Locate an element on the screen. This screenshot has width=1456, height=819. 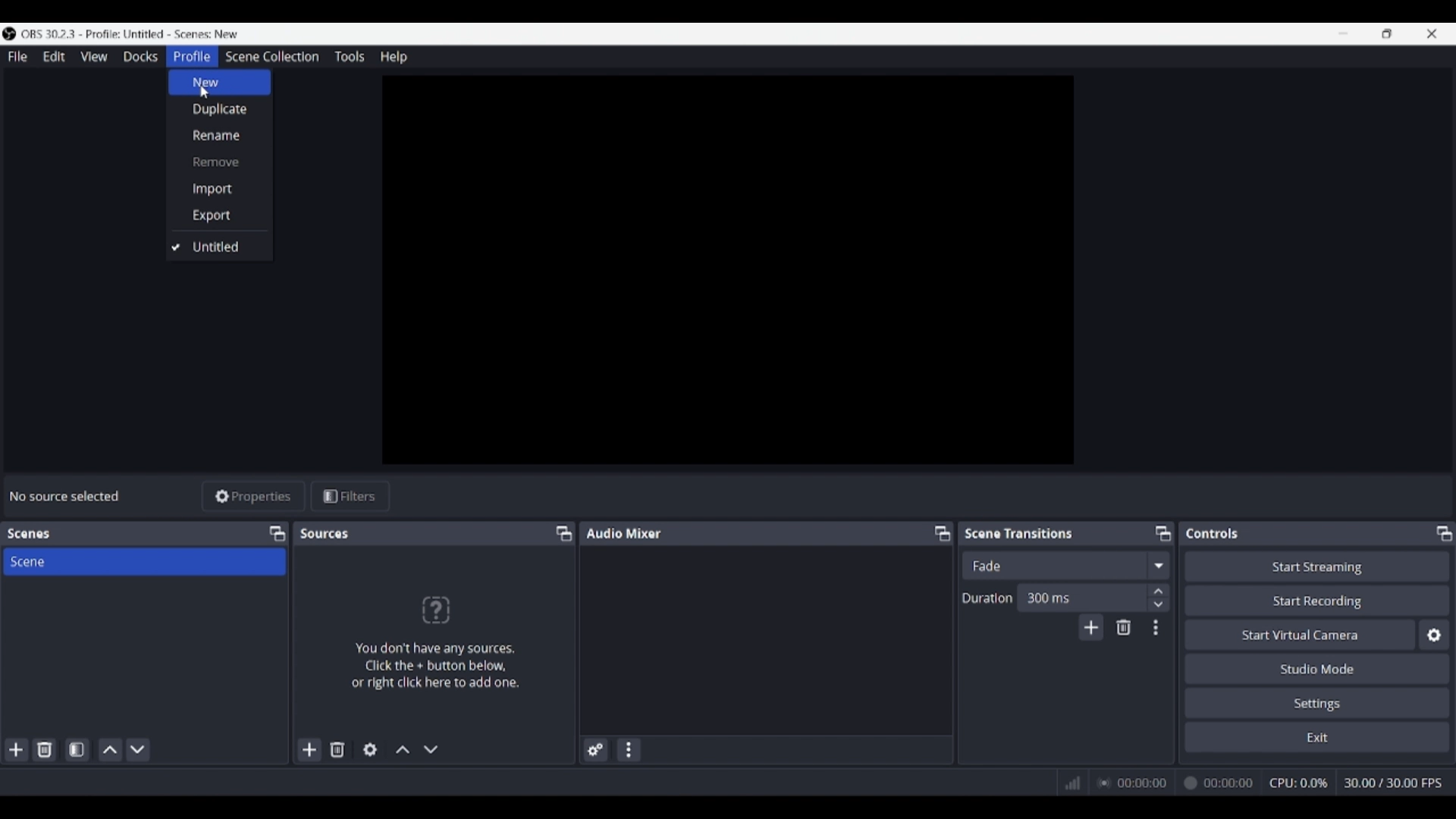
Close interface is located at coordinates (1432, 33).